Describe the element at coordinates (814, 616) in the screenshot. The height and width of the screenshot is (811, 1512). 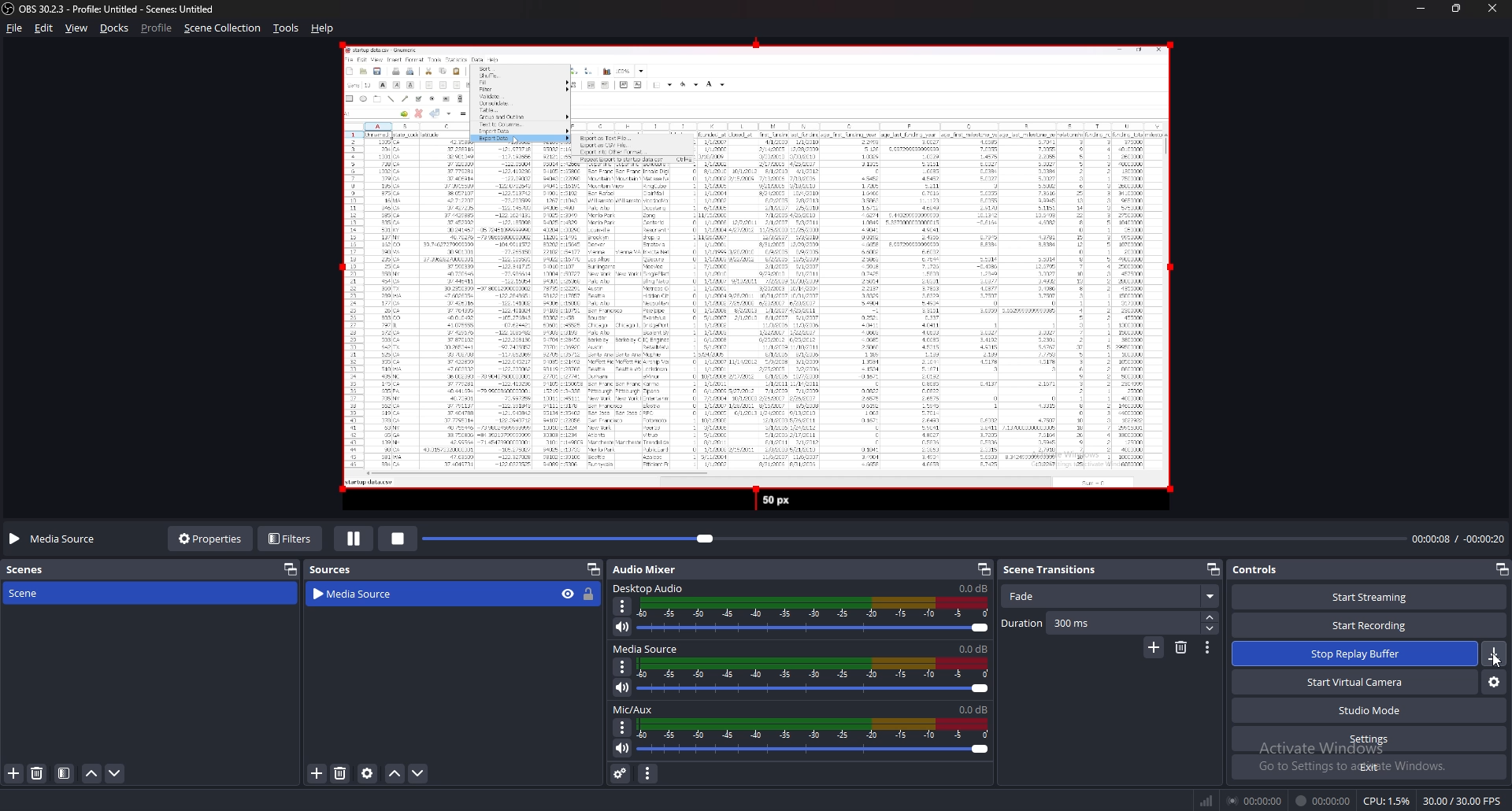
I see `desktop audio adjust` at that location.